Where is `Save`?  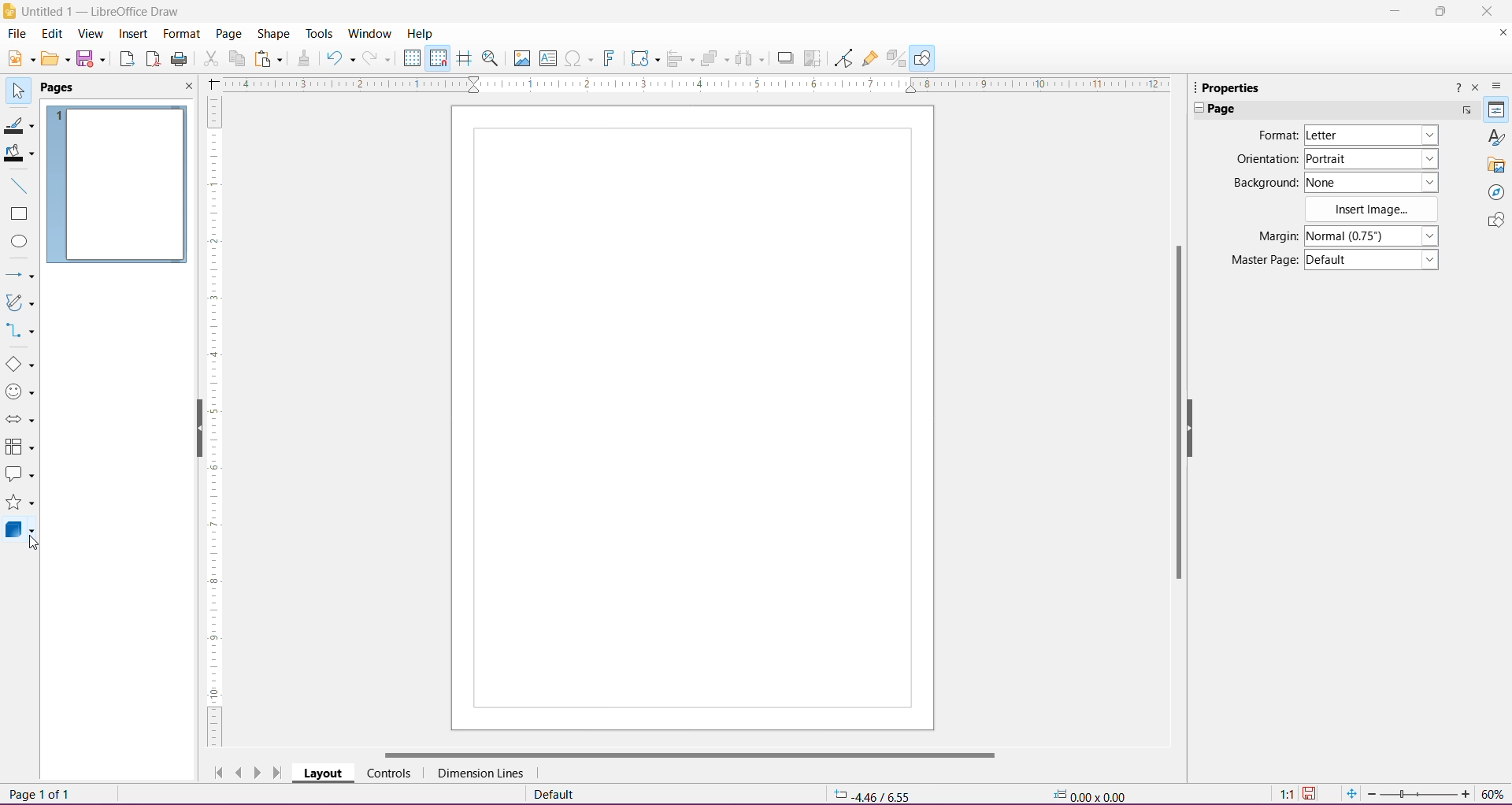 Save is located at coordinates (91, 60).